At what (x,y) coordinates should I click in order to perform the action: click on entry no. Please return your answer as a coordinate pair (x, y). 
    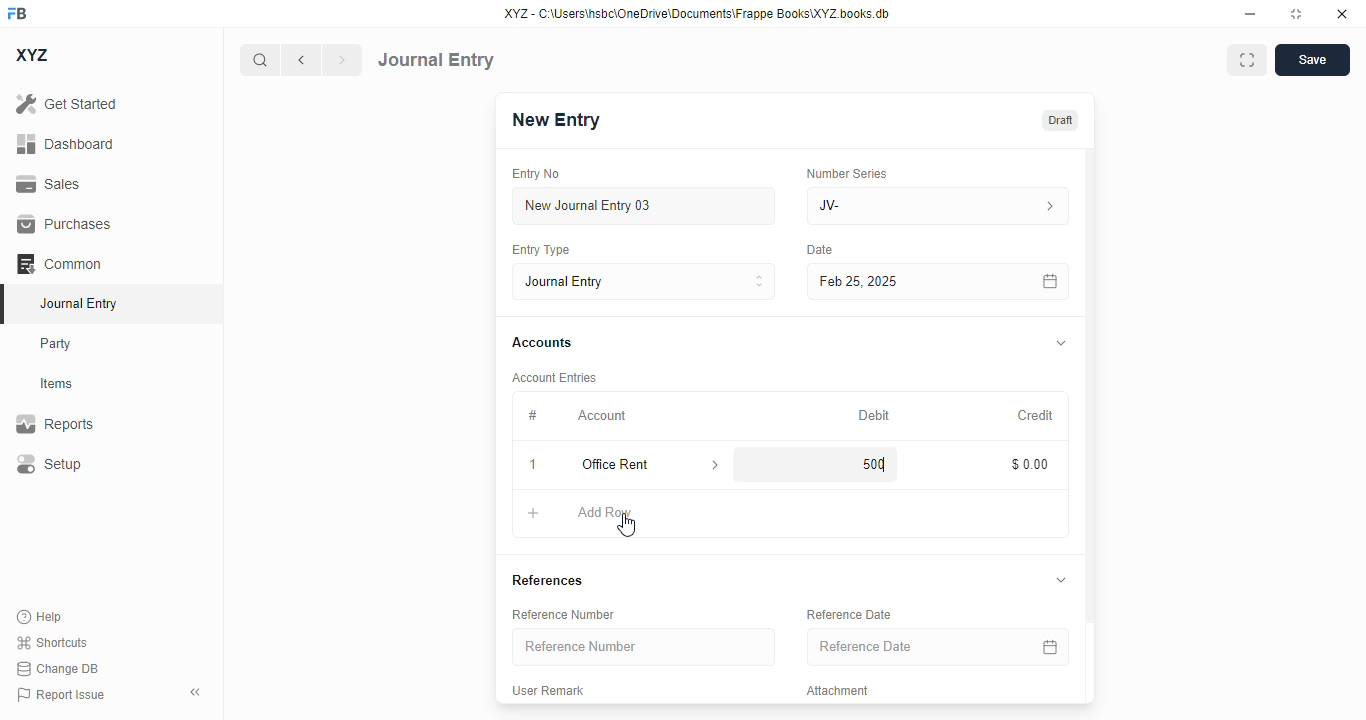
    Looking at the image, I should click on (536, 174).